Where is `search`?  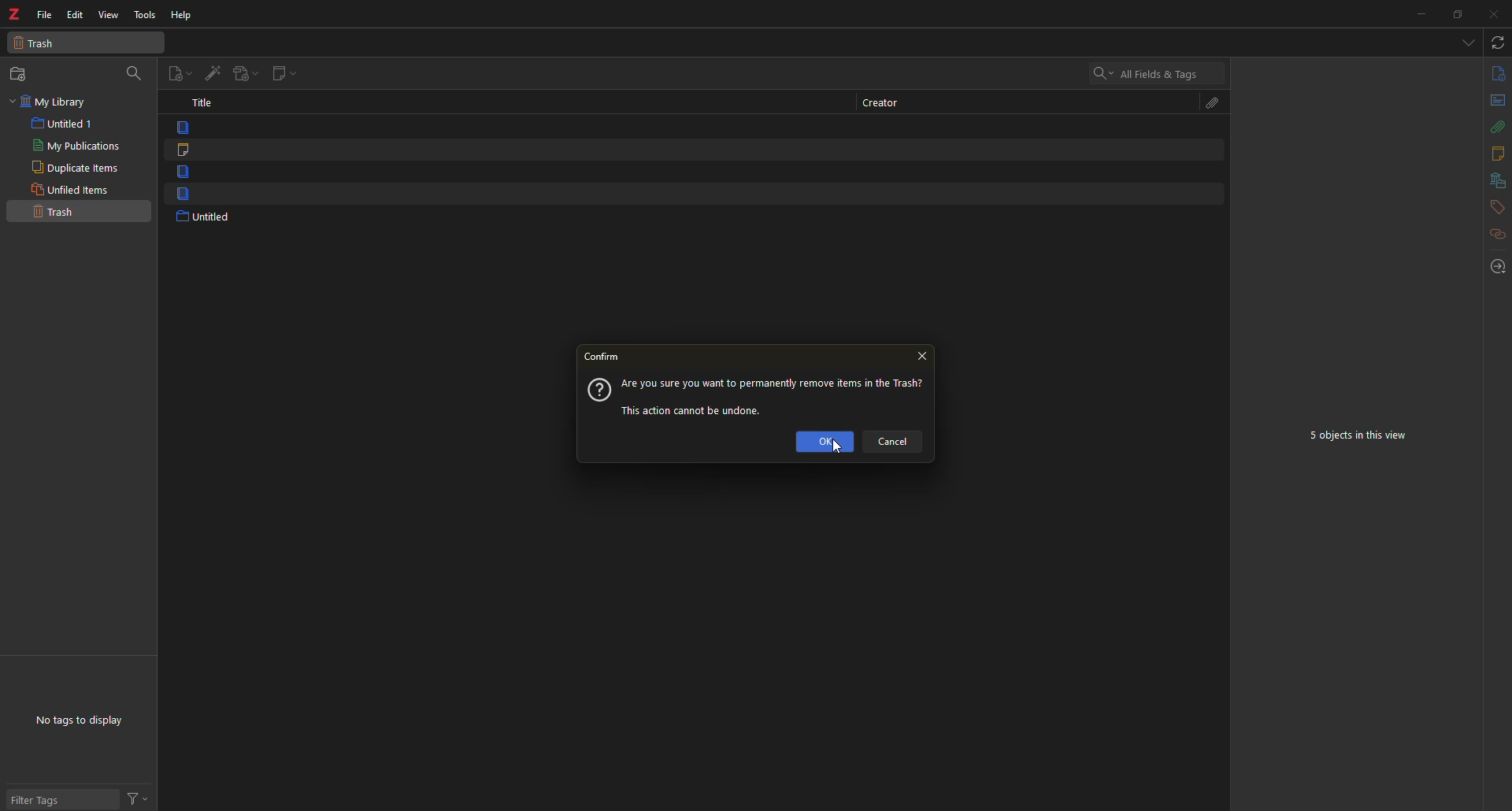 search is located at coordinates (134, 72).